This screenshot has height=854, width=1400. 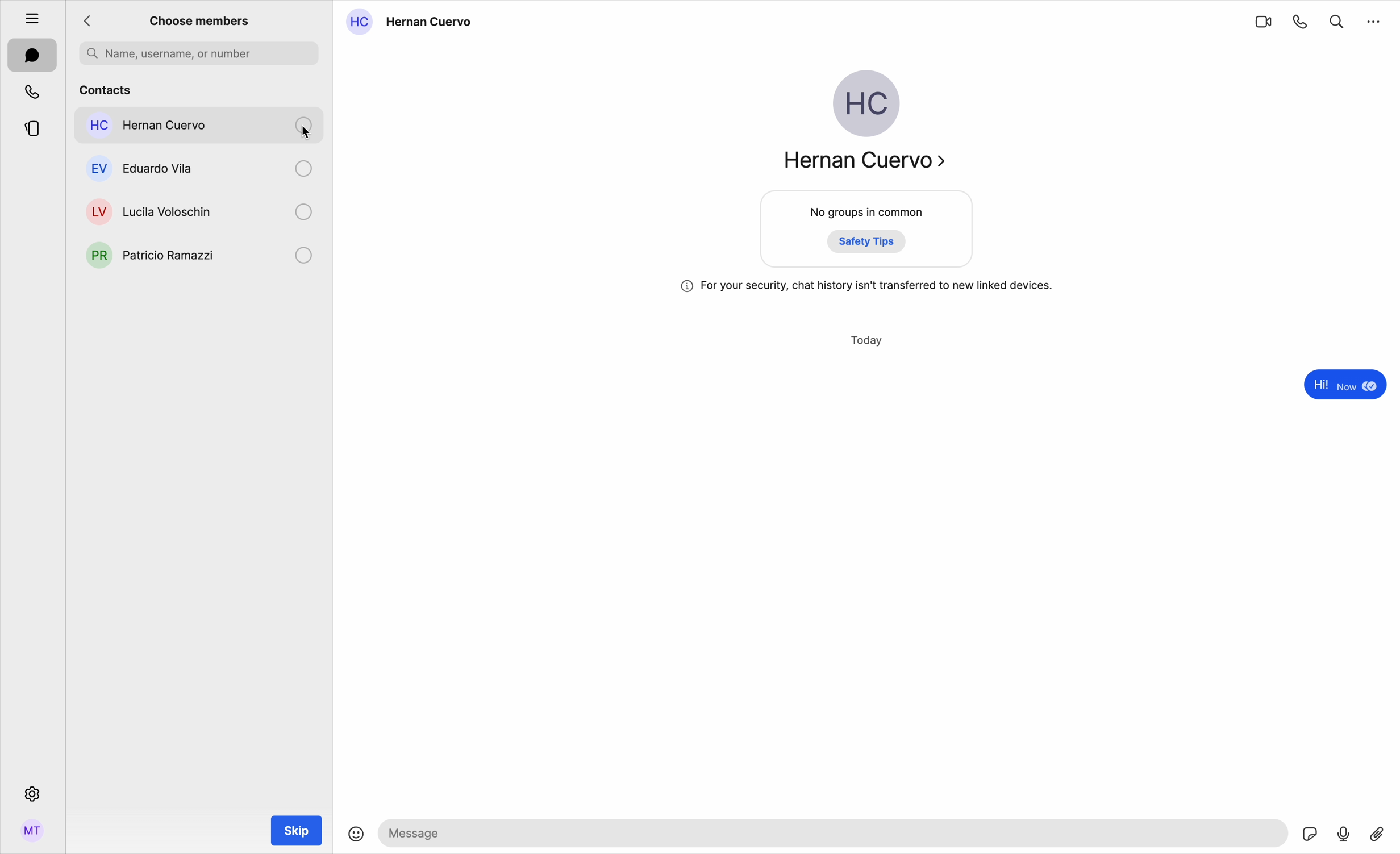 I want to click on profile, so click(x=32, y=835).